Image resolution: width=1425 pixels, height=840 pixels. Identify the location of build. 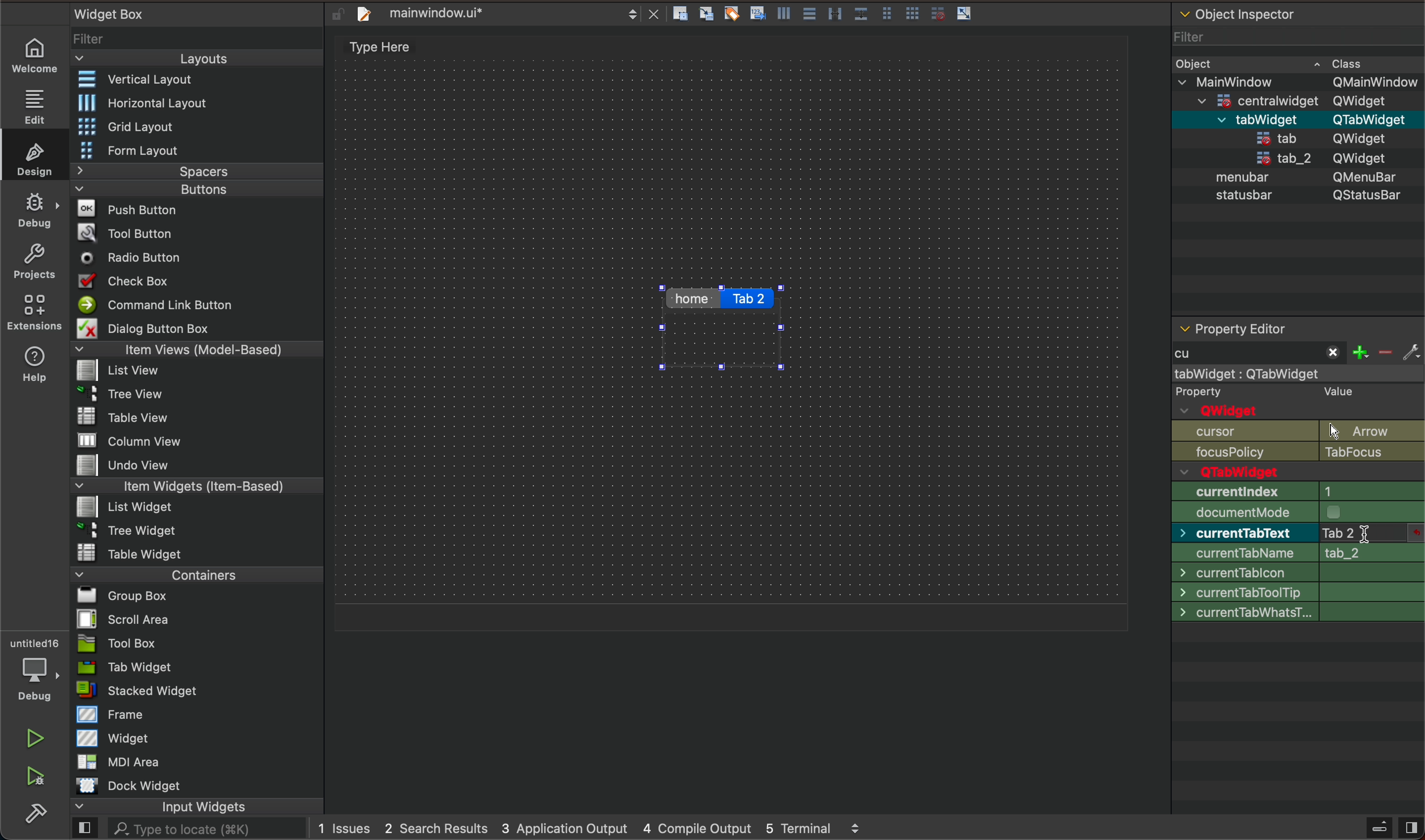
(41, 816).